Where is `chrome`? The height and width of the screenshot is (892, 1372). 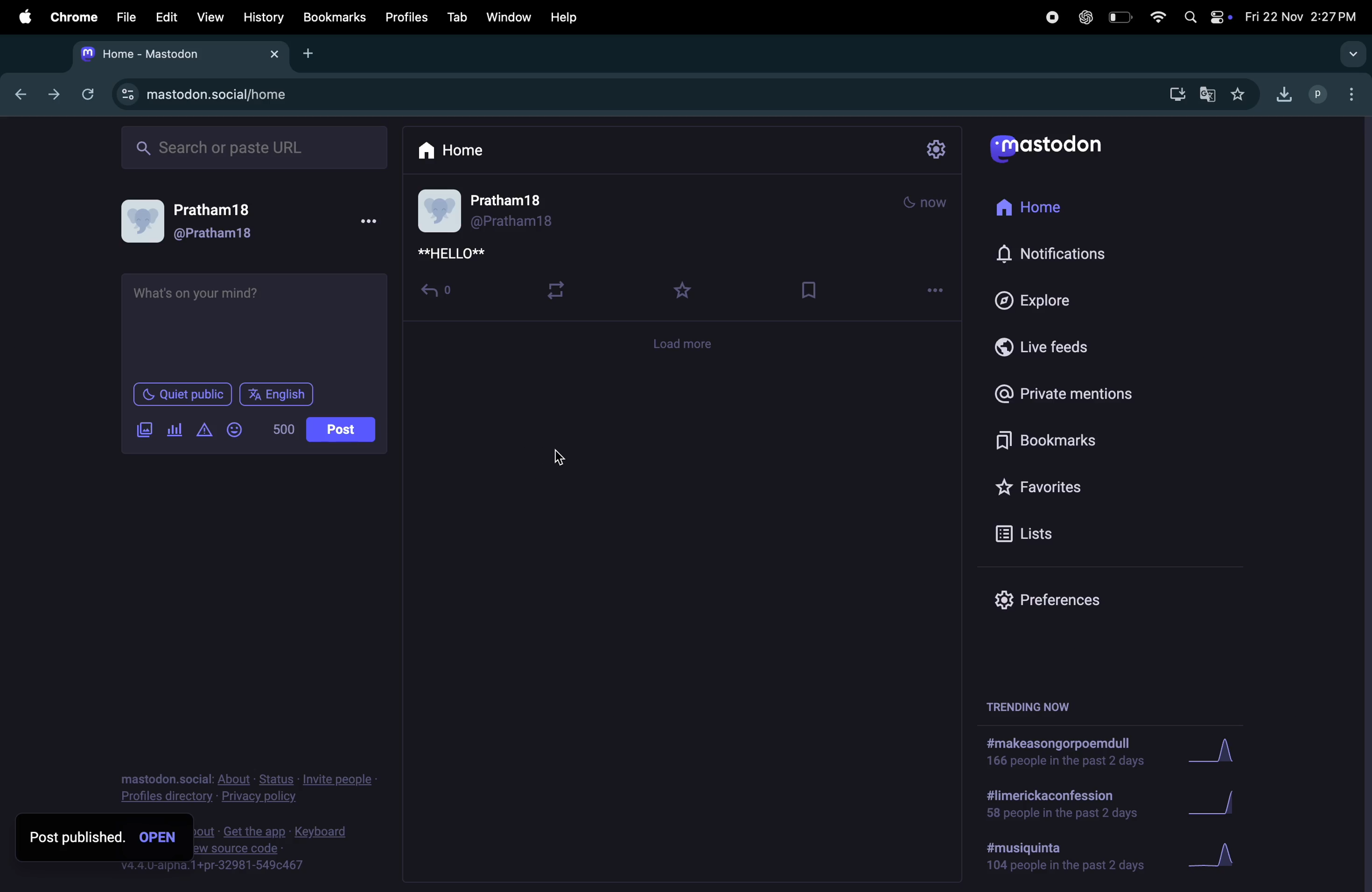 chrome is located at coordinates (74, 16).